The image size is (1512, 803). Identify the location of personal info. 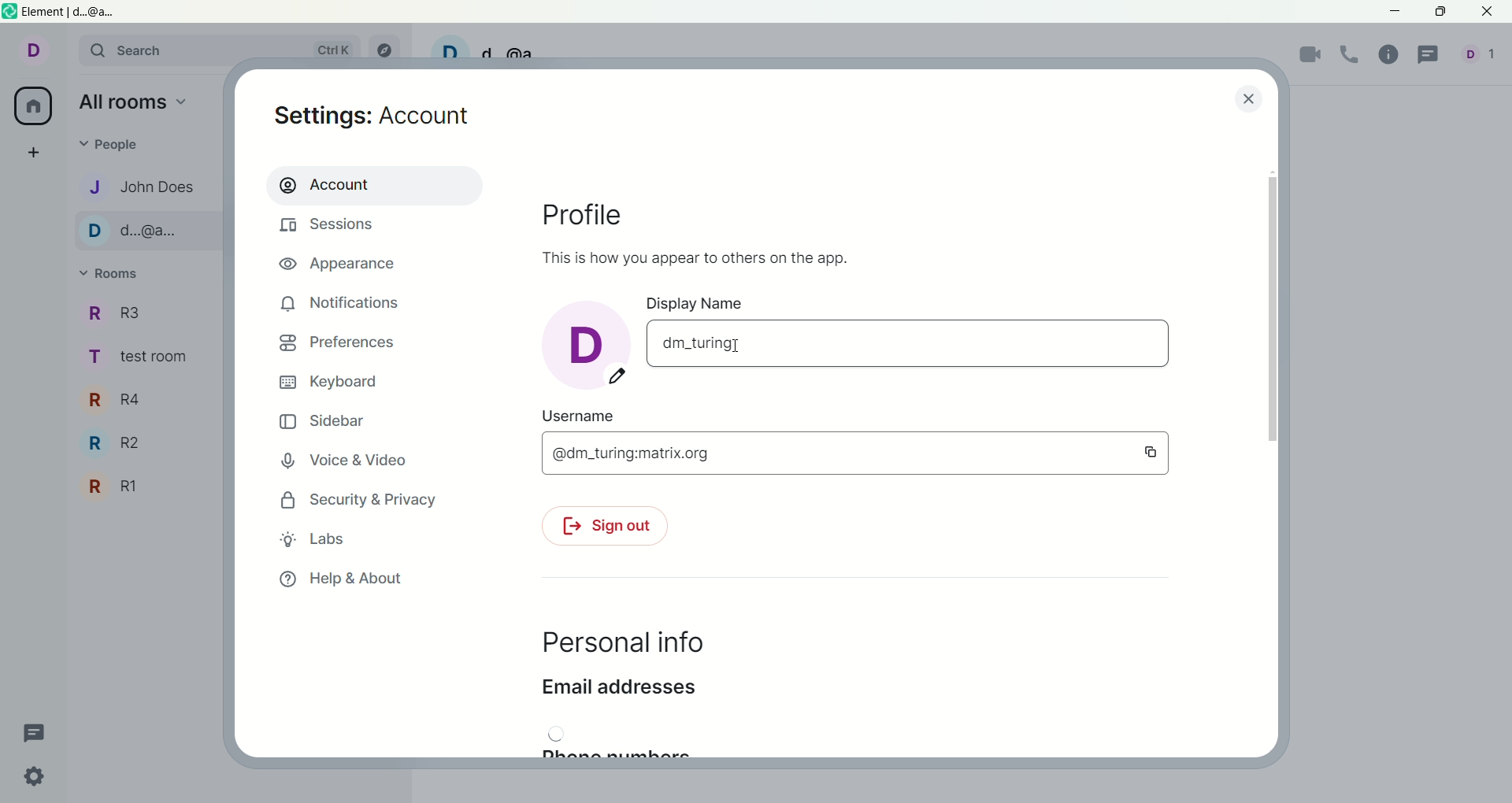
(621, 644).